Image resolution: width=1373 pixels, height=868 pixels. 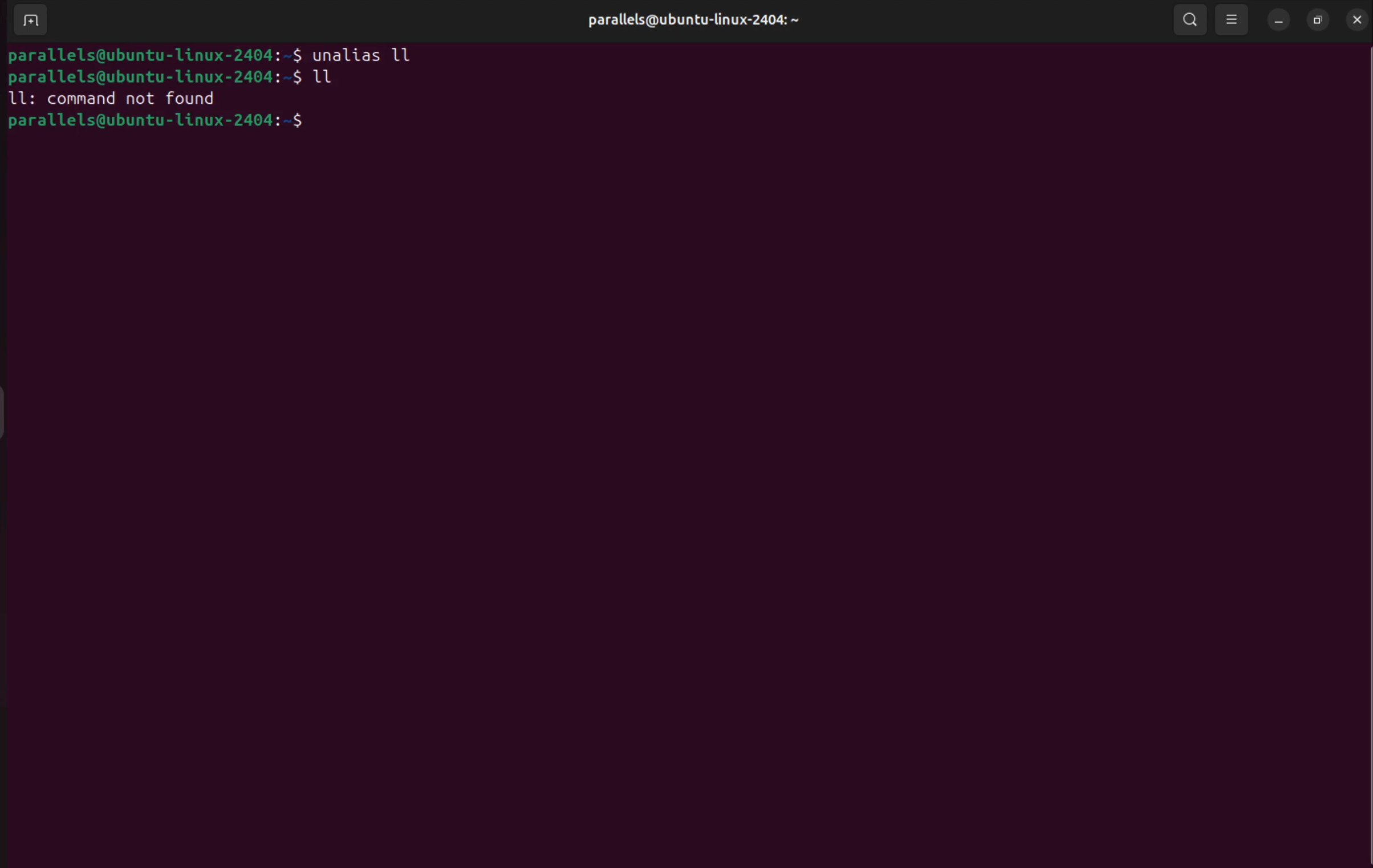 I want to click on unalias ll, so click(x=363, y=55).